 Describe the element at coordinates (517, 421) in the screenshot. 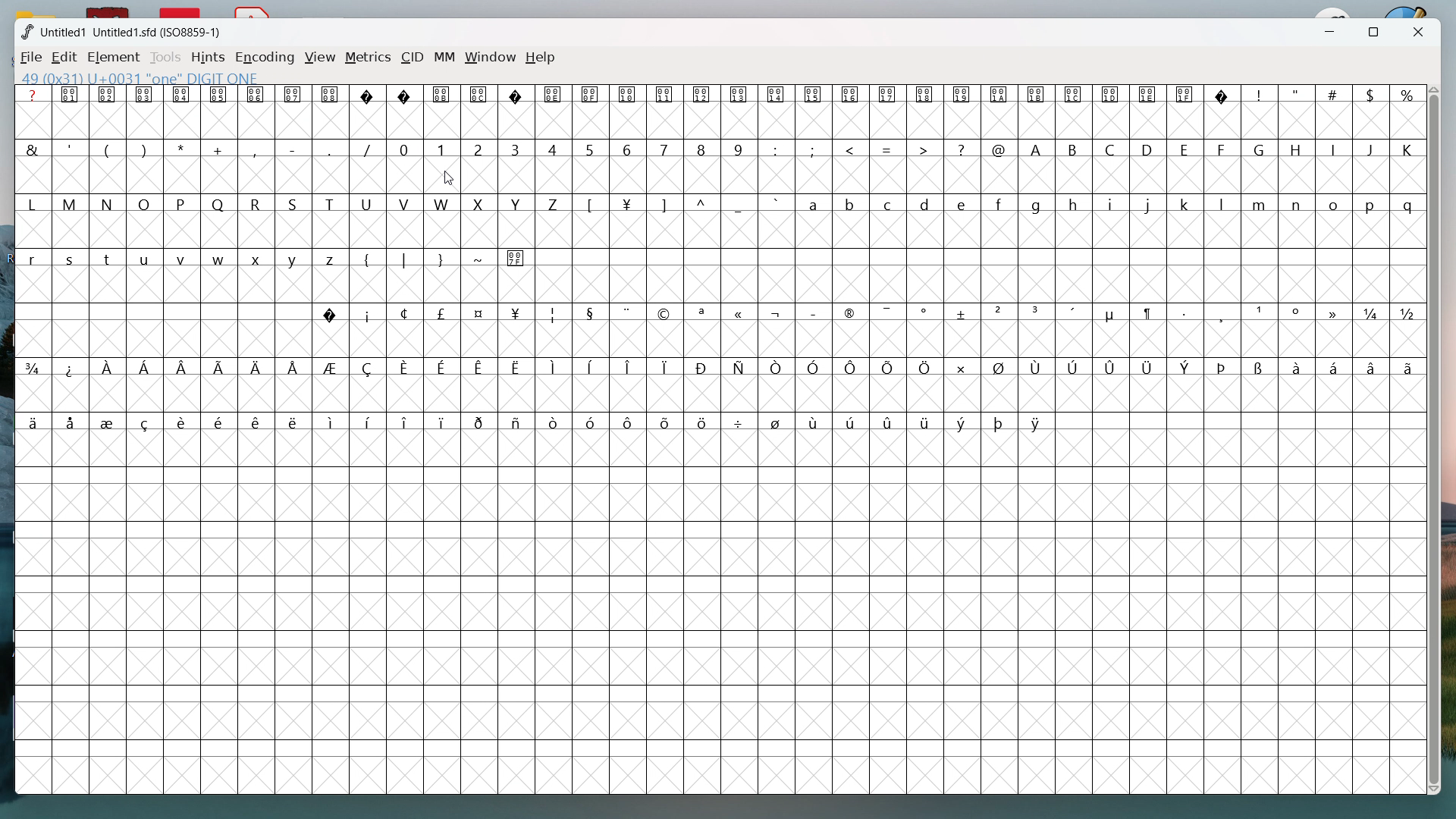

I see `symbol` at that location.